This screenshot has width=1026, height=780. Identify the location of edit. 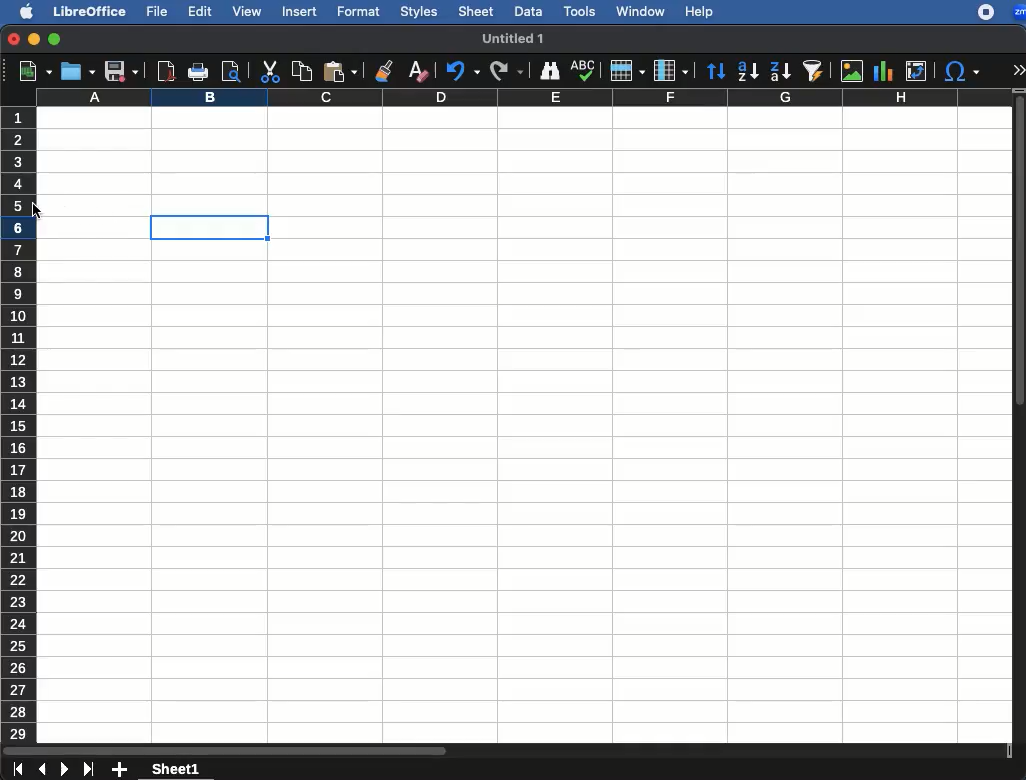
(199, 12).